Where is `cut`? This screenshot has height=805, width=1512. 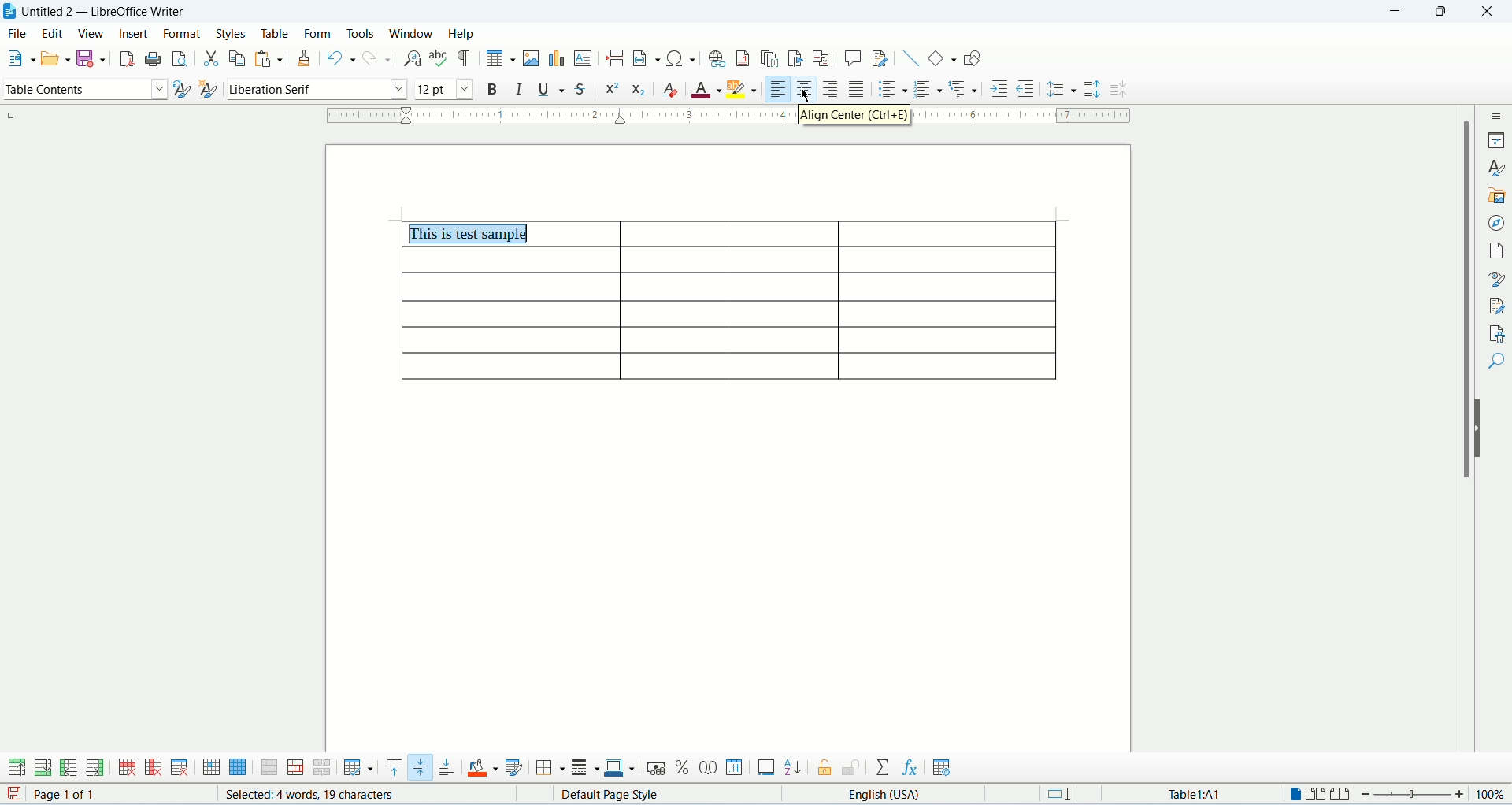 cut is located at coordinates (211, 57).